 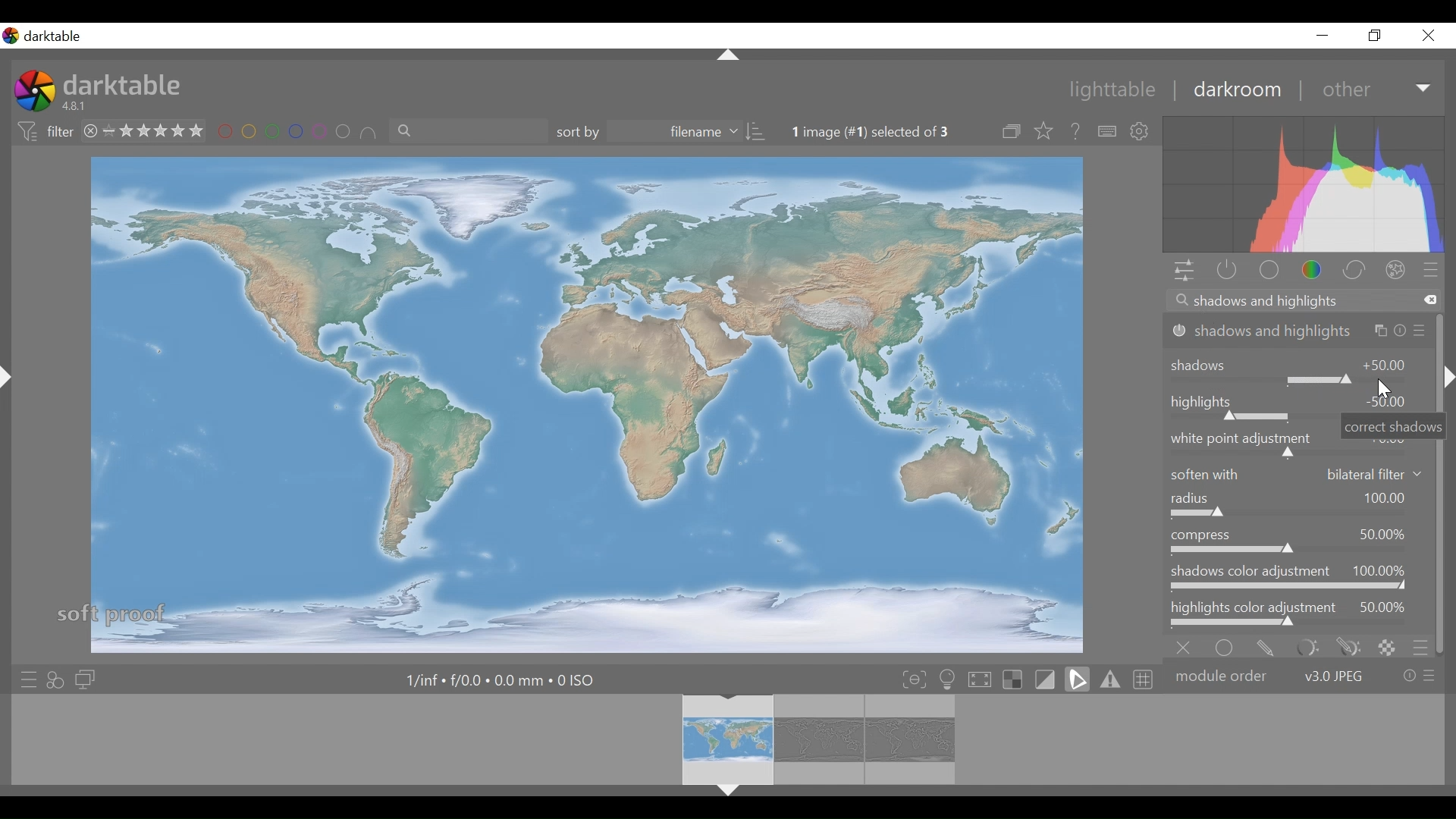 What do you see at coordinates (1268, 270) in the screenshot?
I see `base` at bounding box center [1268, 270].